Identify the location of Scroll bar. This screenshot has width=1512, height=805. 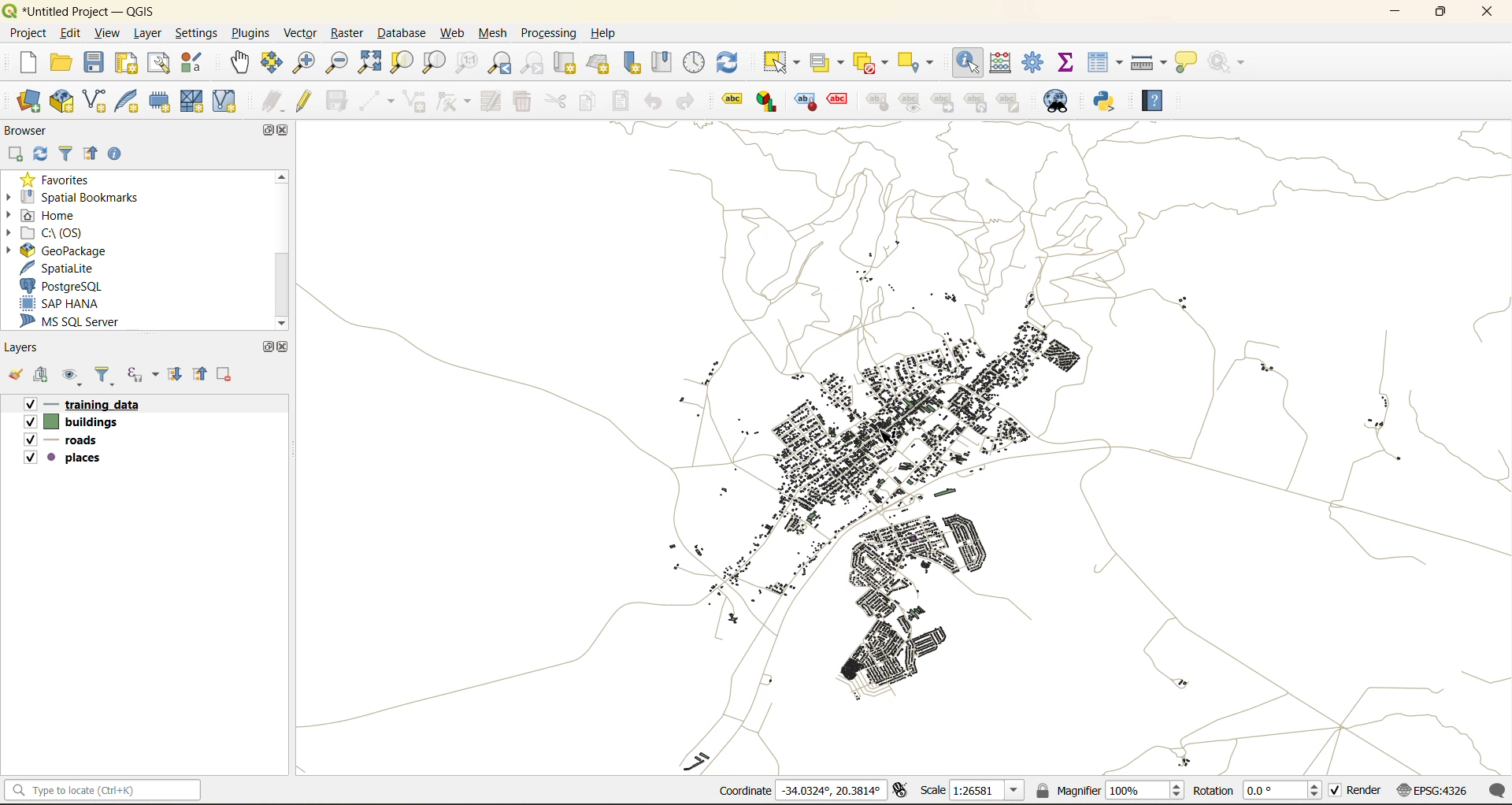
(280, 250).